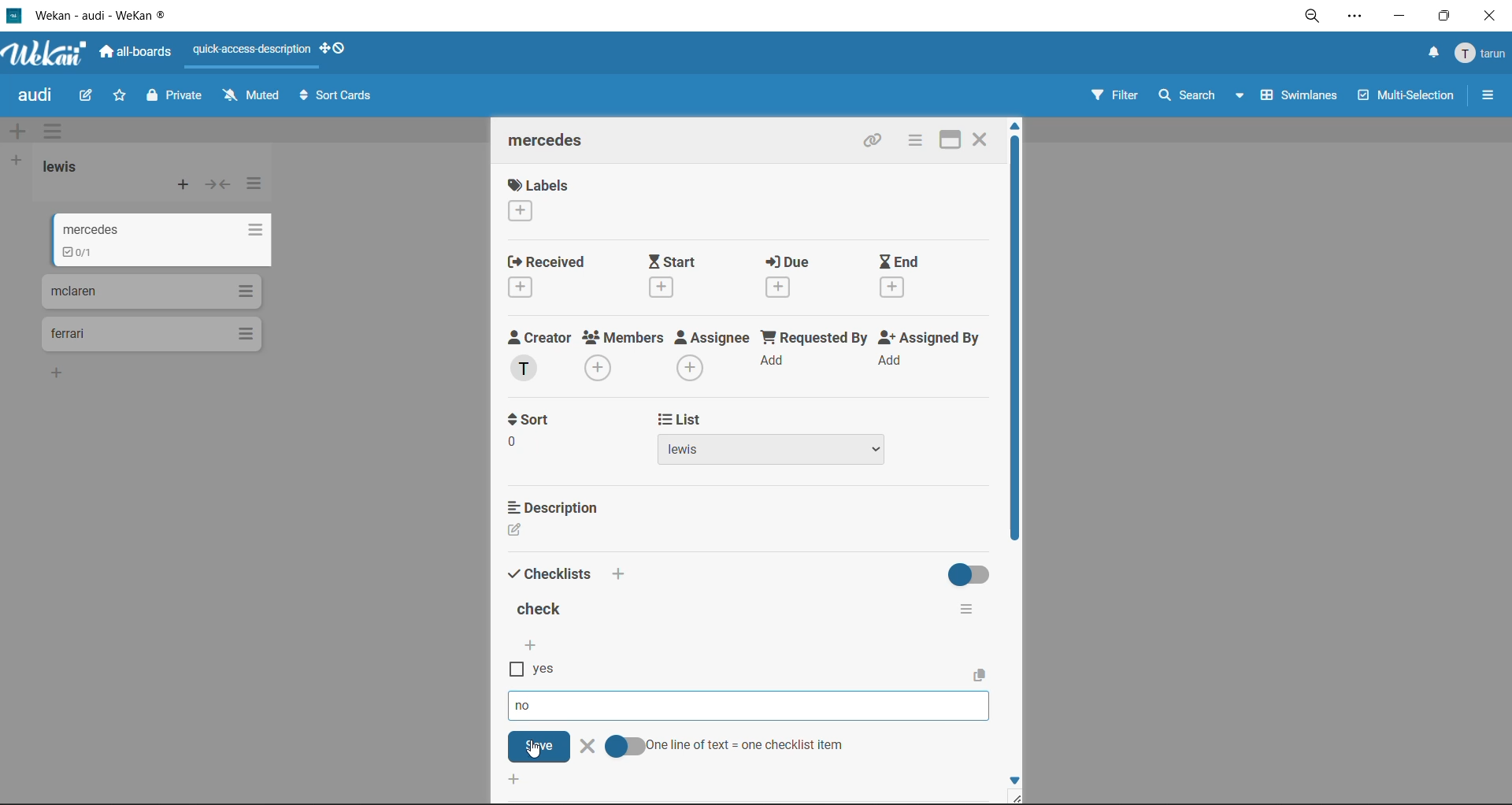 Image resolution: width=1512 pixels, height=805 pixels. Describe the element at coordinates (539, 356) in the screenshot. I see `creator` at that location.